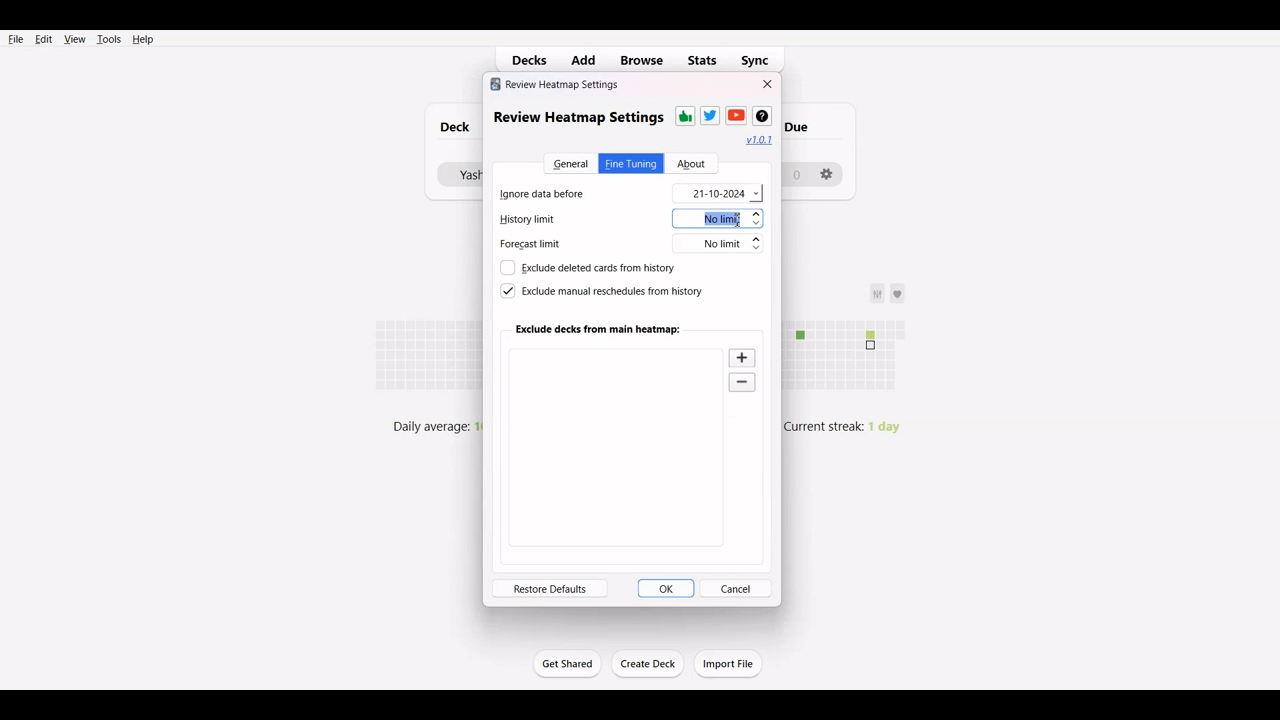 The height and width of the screenshot is (720, 1280). What do you see at coordinates (641, 61) in the screenshot?
I see `Browse` at bounding box center [641, 61].